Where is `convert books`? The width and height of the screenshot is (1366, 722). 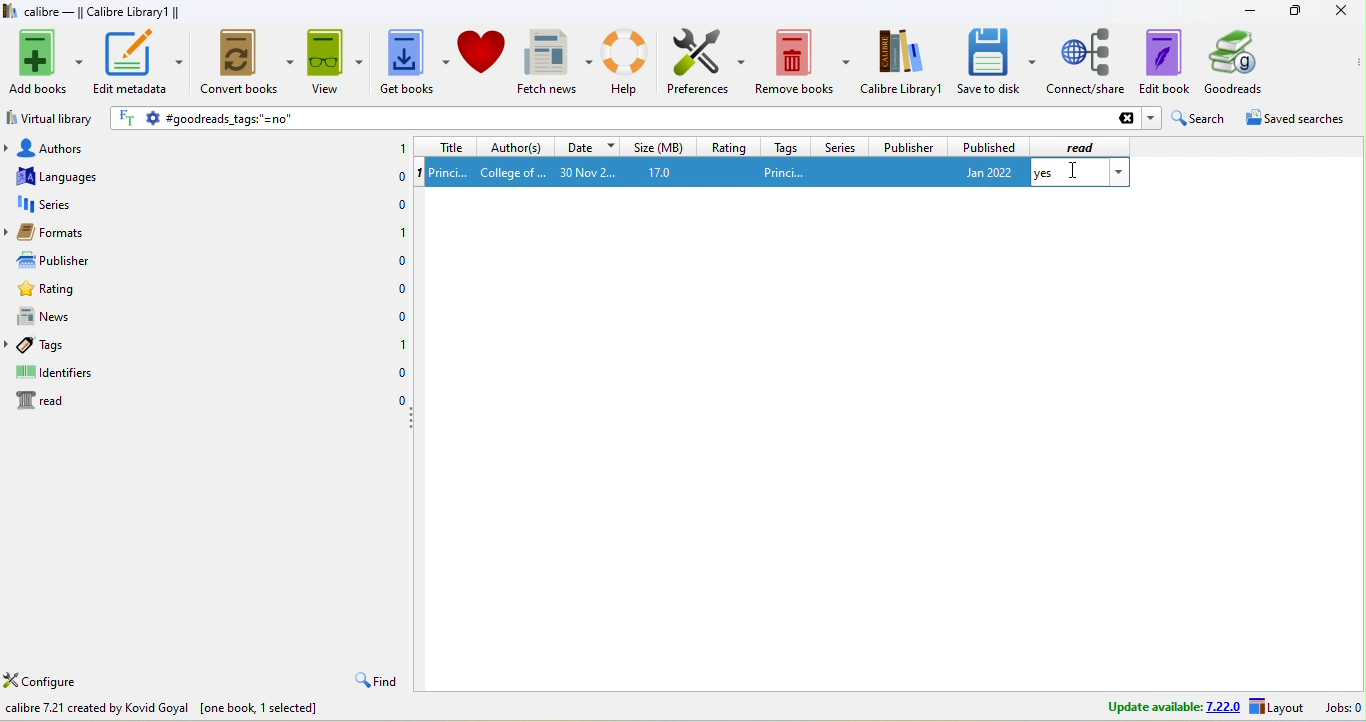 convert books is located at coordinates (248, 63).